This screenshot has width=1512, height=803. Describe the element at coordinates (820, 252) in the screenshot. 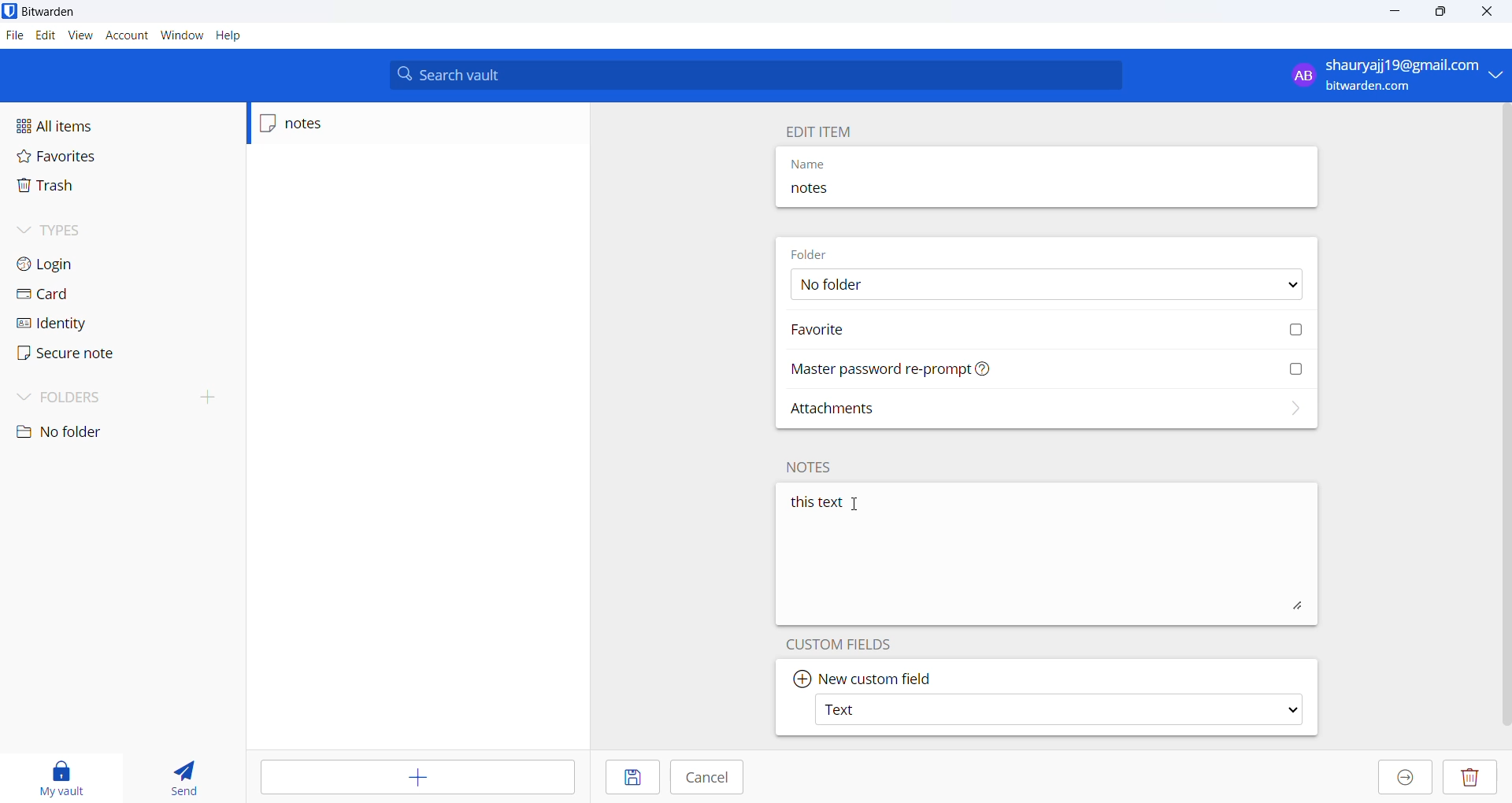

I see `folder` at that location.